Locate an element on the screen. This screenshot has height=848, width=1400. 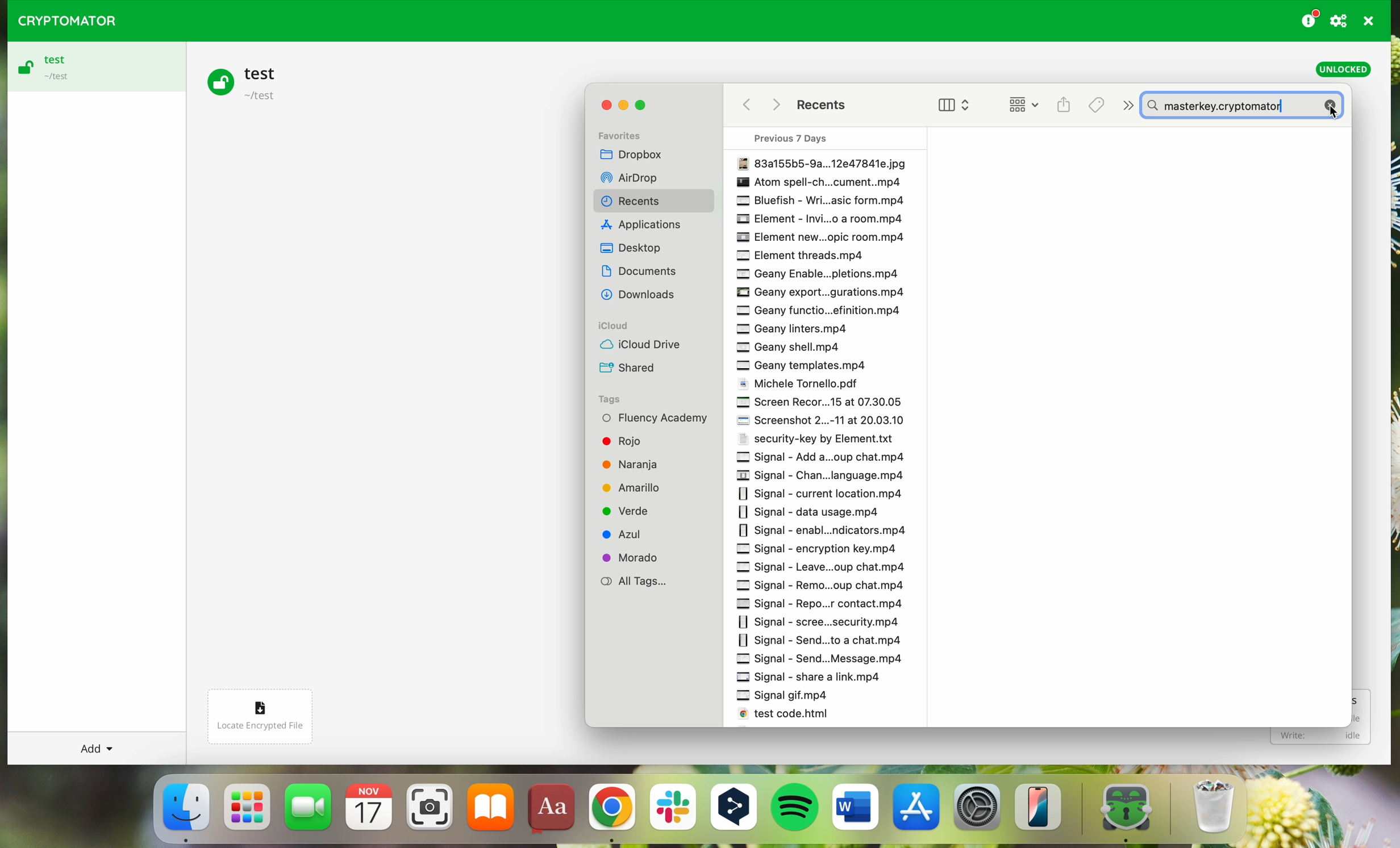
Signal send to a chat is located at coordinates (829, 640).